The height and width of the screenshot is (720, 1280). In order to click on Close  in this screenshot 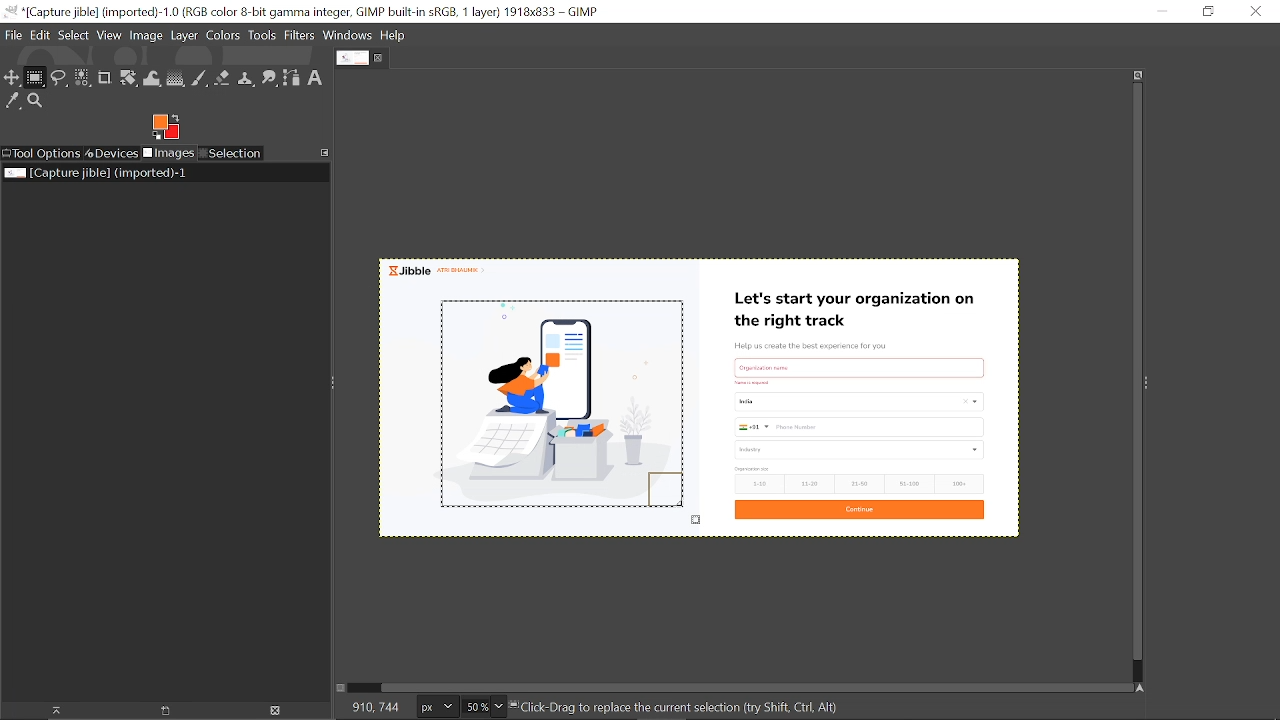, I will do `click(1257, 11)`.